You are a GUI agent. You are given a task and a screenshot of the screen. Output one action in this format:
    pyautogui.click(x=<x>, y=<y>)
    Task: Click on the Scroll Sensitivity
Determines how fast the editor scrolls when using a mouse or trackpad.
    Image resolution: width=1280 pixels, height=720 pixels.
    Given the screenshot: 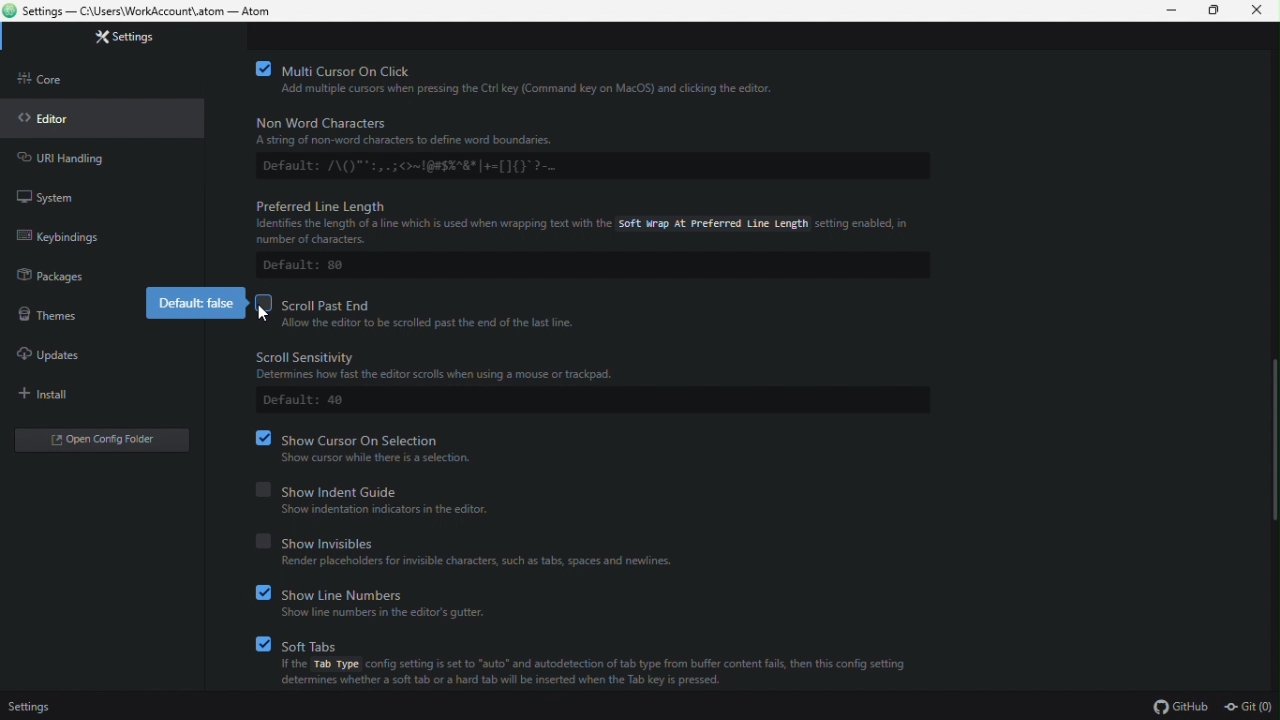 What is the action you would take?
    pyautogui.click(x=476, y=365)
    